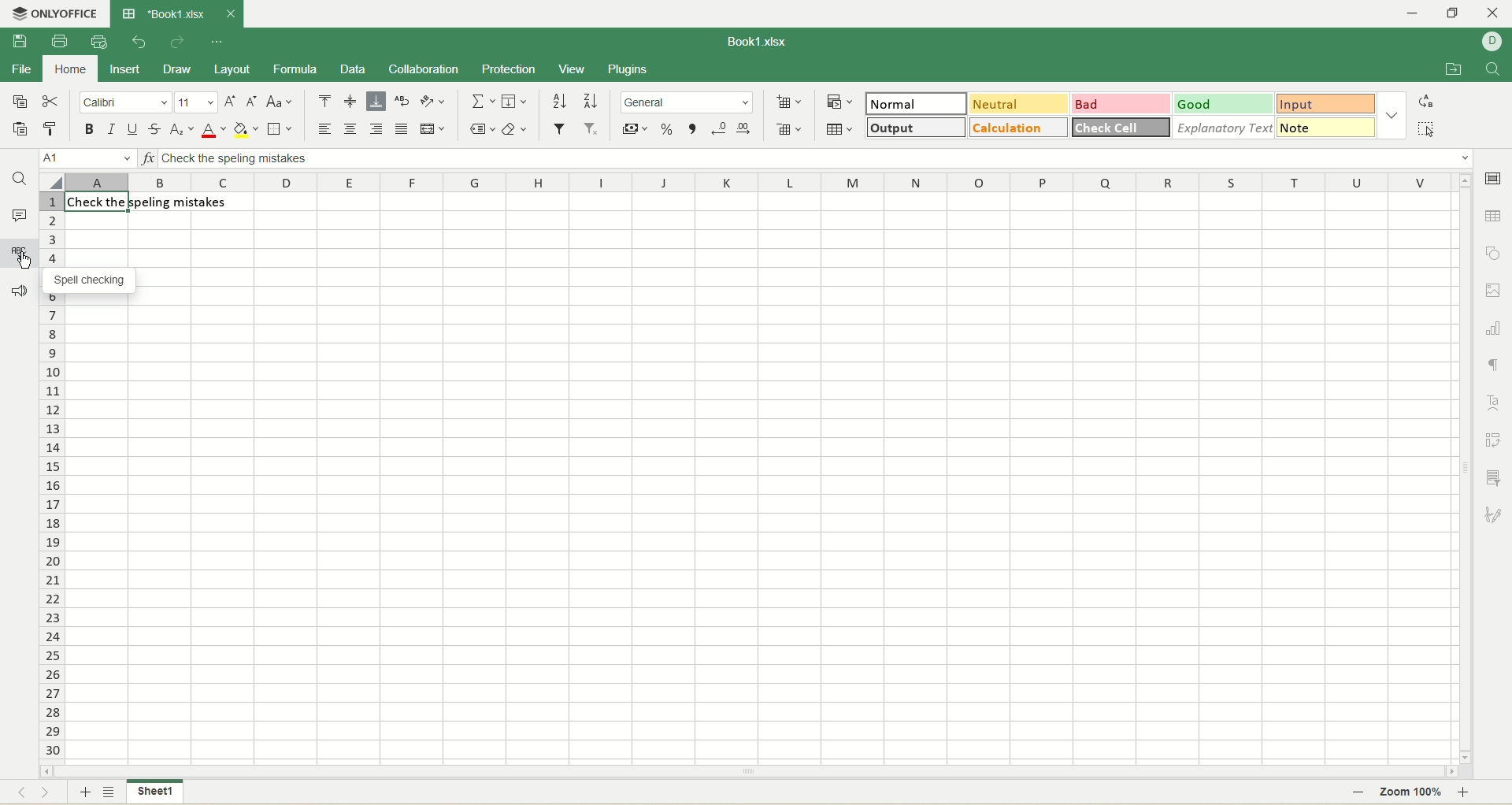 This screenshot has height=805, width=1512. What do you see at coordinates (59, 41) in the screenshot?
I see `print` at bounding box center [59, 41].